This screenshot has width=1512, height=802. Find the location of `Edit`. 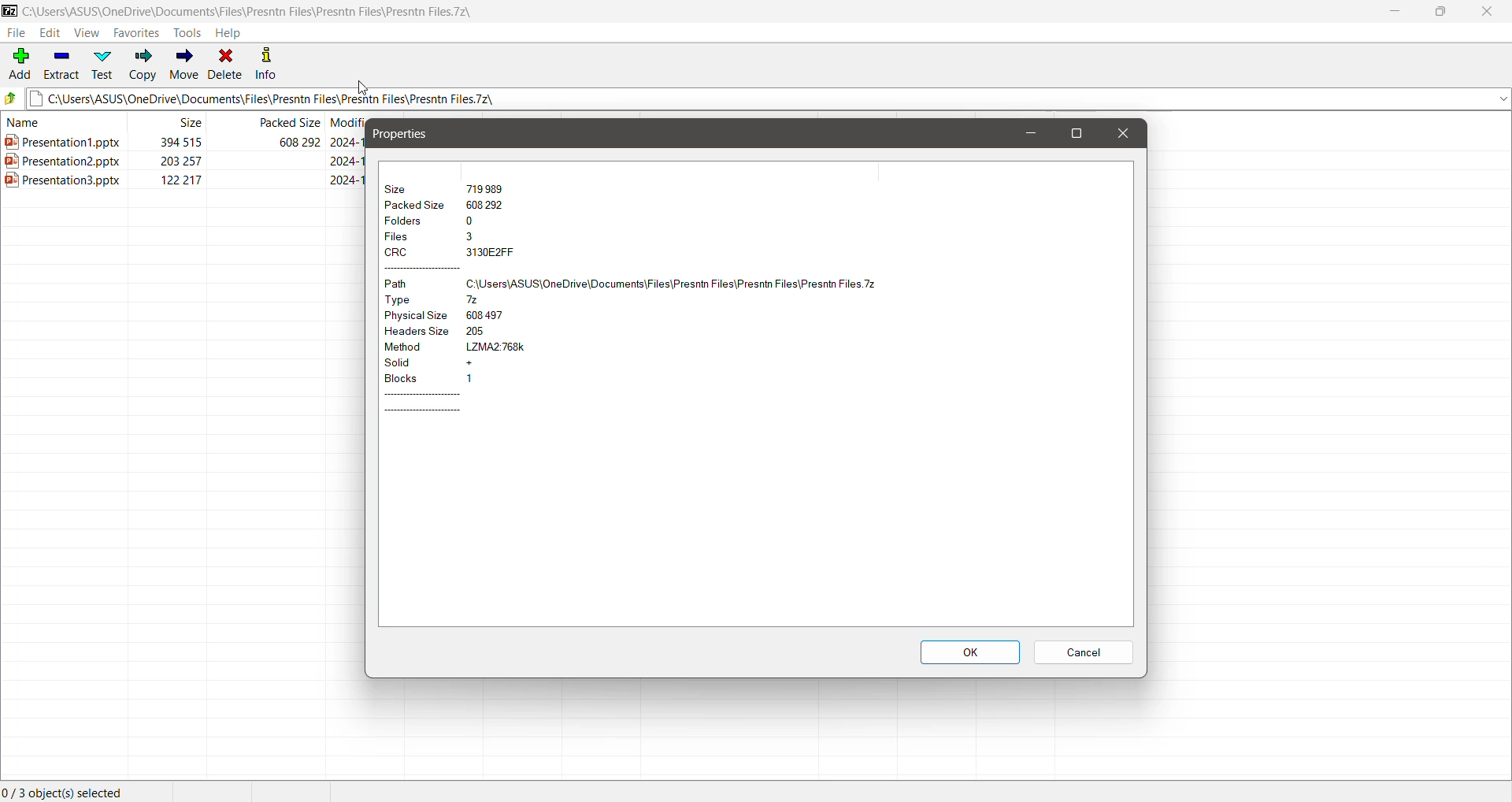

Edit is located at coordinates (52, 32).